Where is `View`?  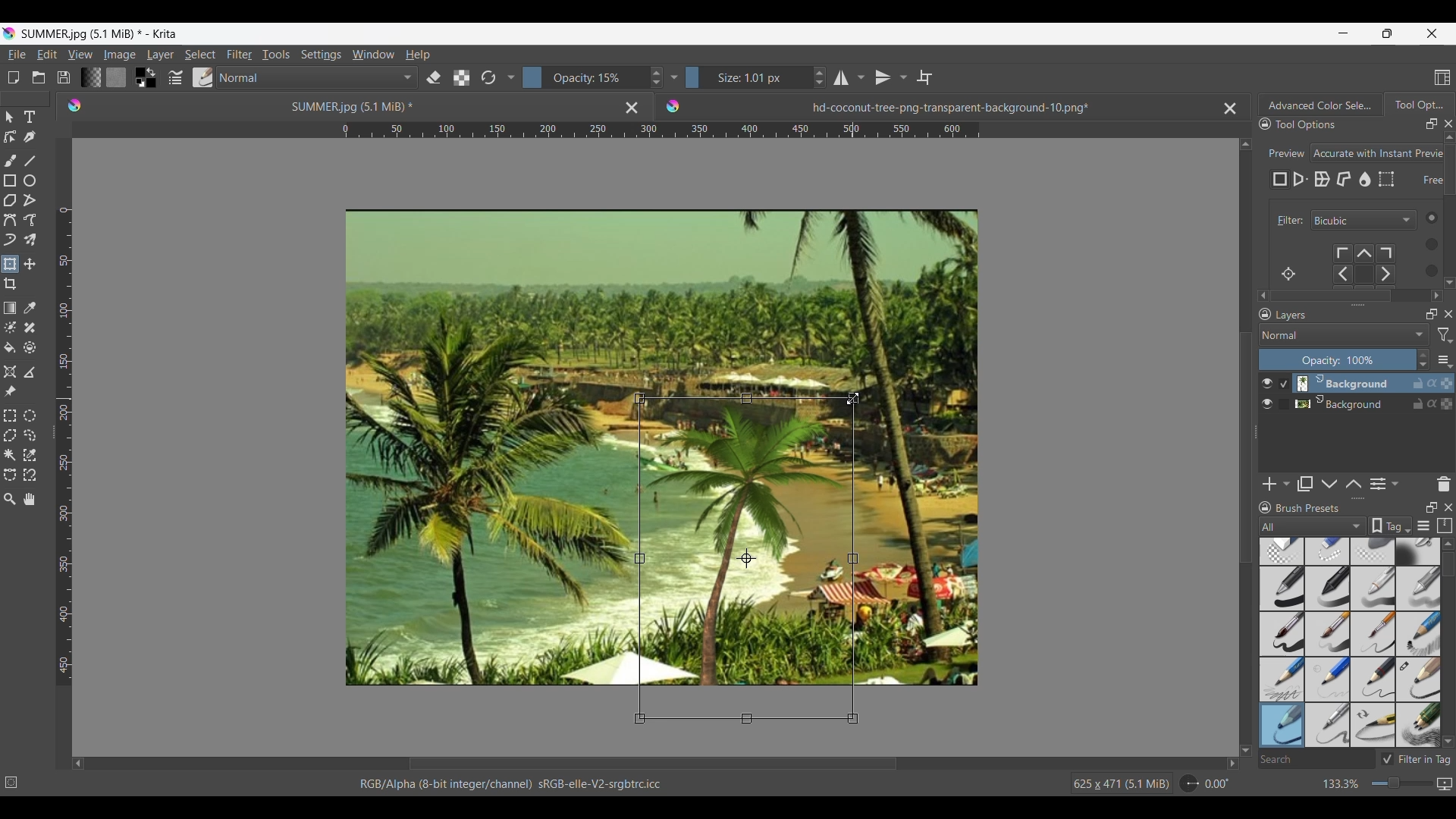
View is located at coordinates (80, 55).